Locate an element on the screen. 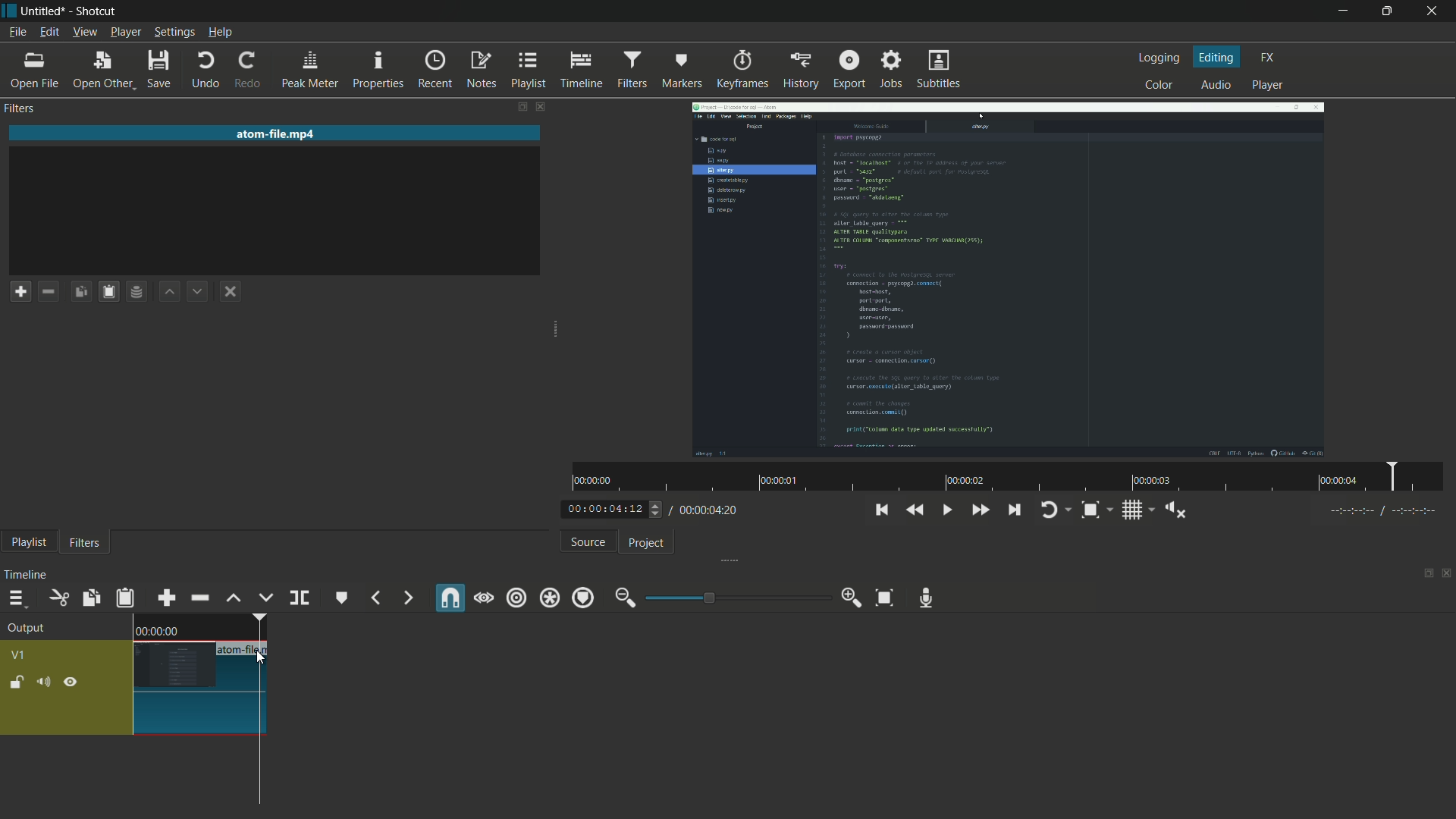 Image resolution: width=1456 pixels, height=819 pixels. choose color is located at coordinates (279, 679).